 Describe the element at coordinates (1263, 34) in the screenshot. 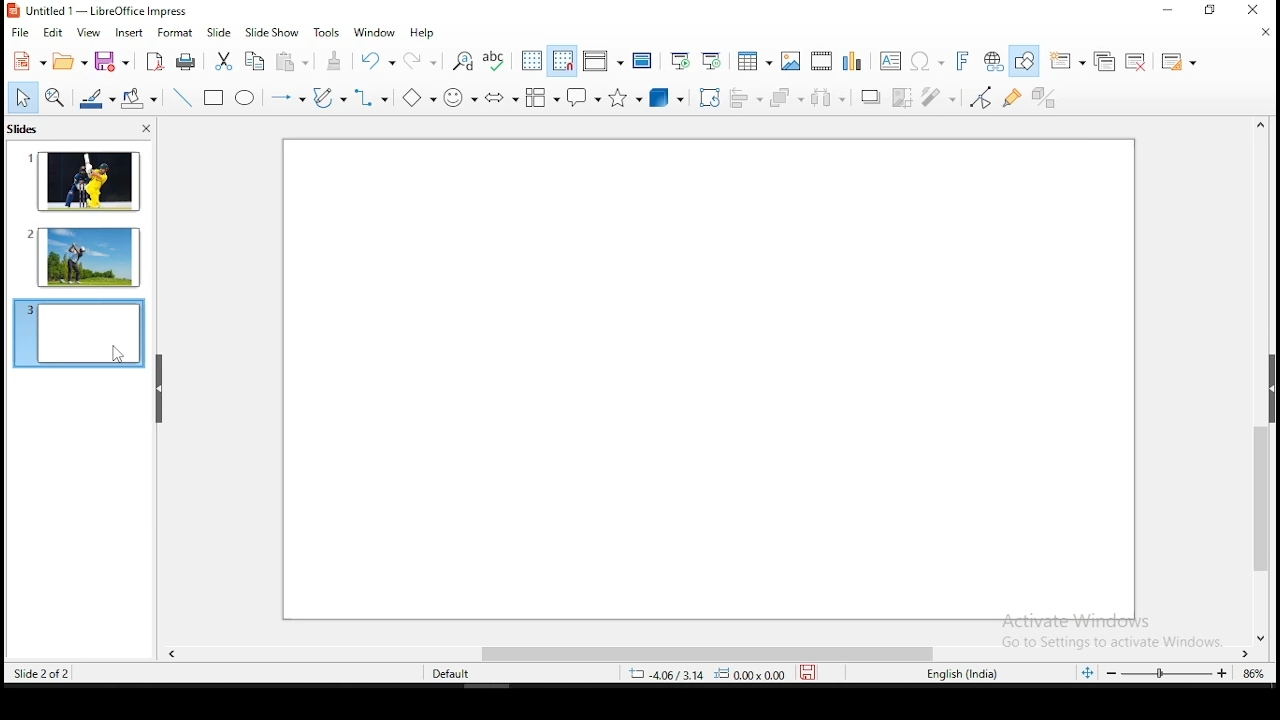

I see `close` at that location.